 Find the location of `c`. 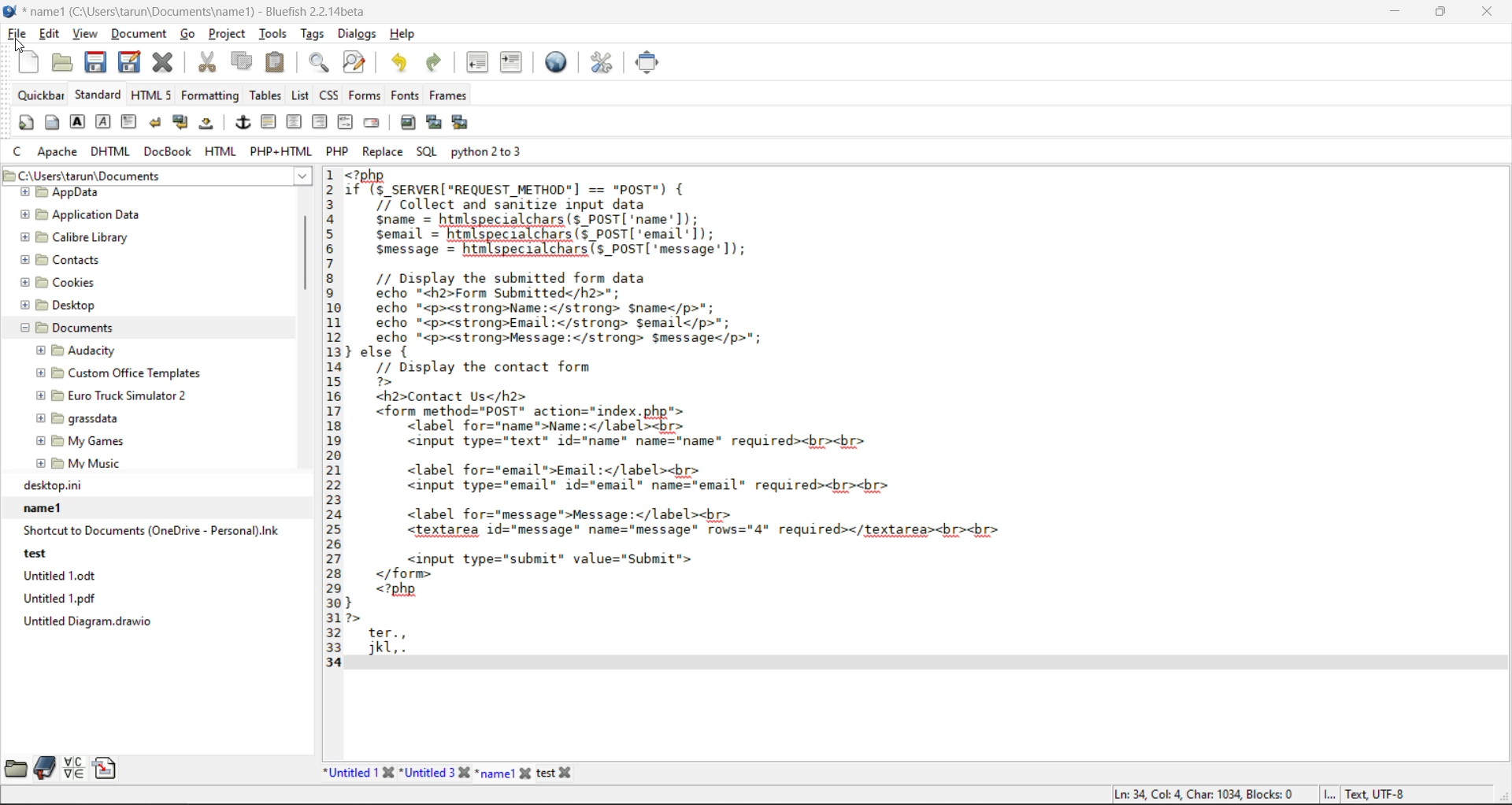

c is located at coordinates (18, 150).